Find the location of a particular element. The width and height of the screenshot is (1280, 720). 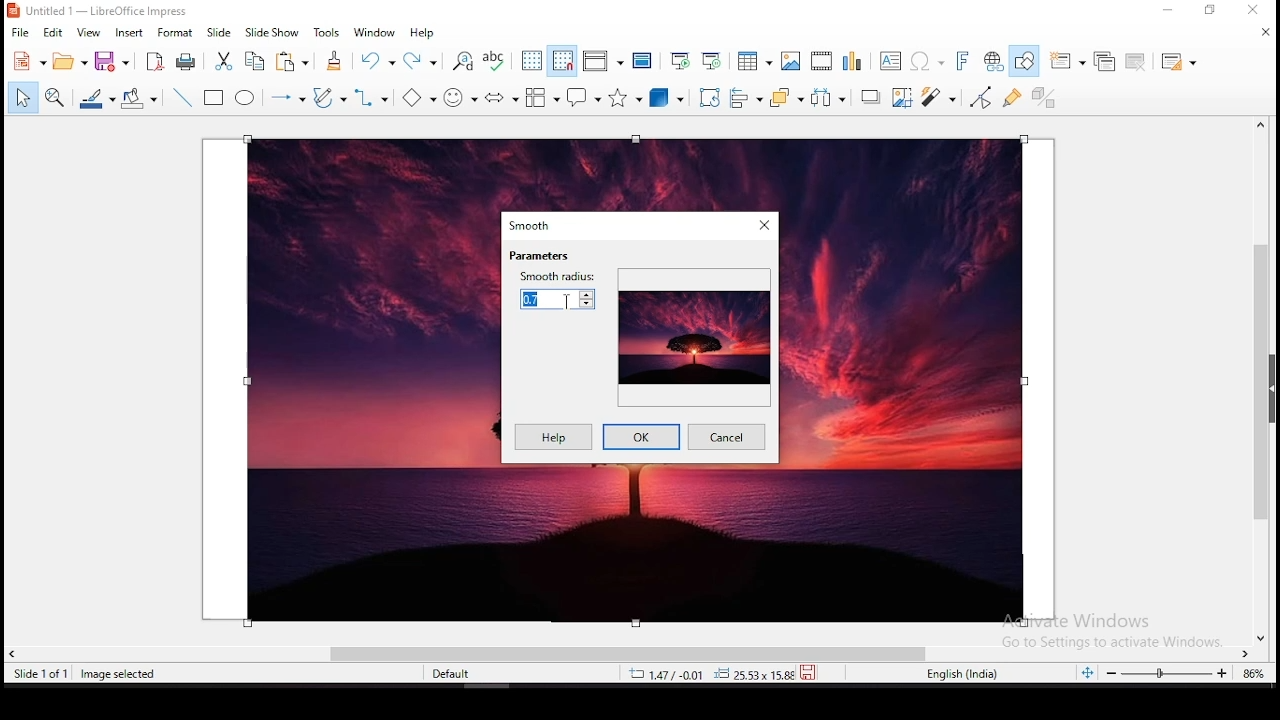

open is located at coordinates (68, 62).